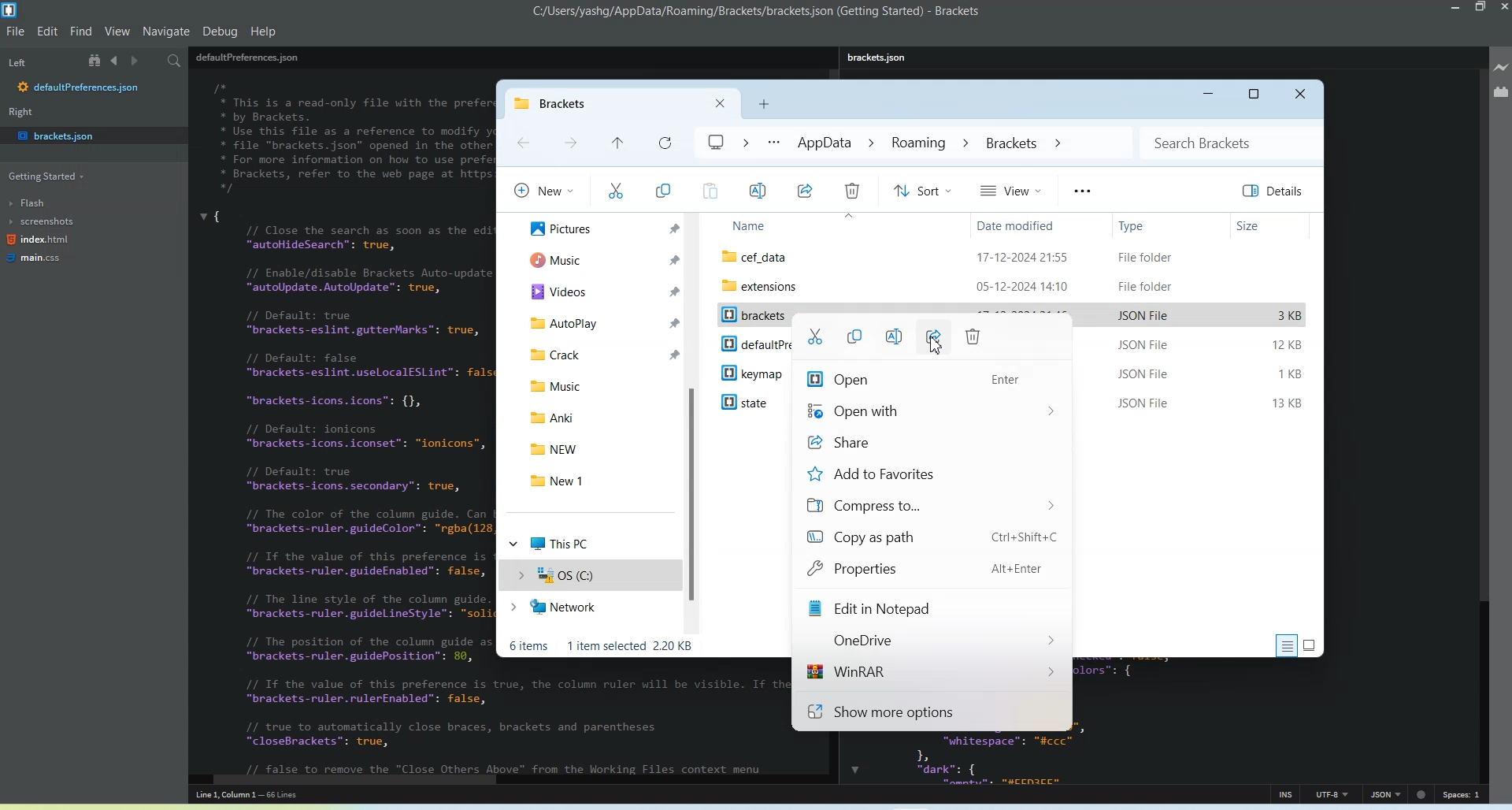  What do you see at coordinates (1385, 793) in the screenshot?
I see `JSON` at bounding box center [1385, 793].